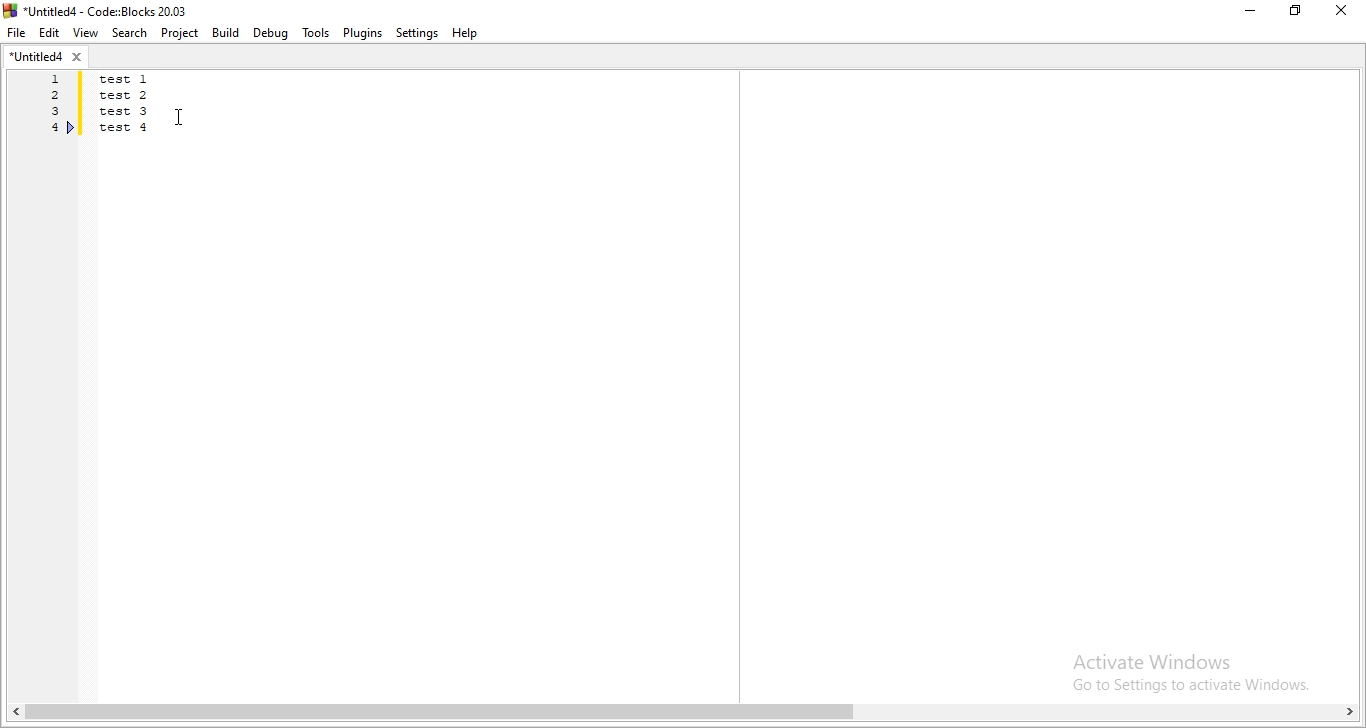 The height and width of the screenshot is (728, 1366). I want to click on Minimise, so click(1249, 12).